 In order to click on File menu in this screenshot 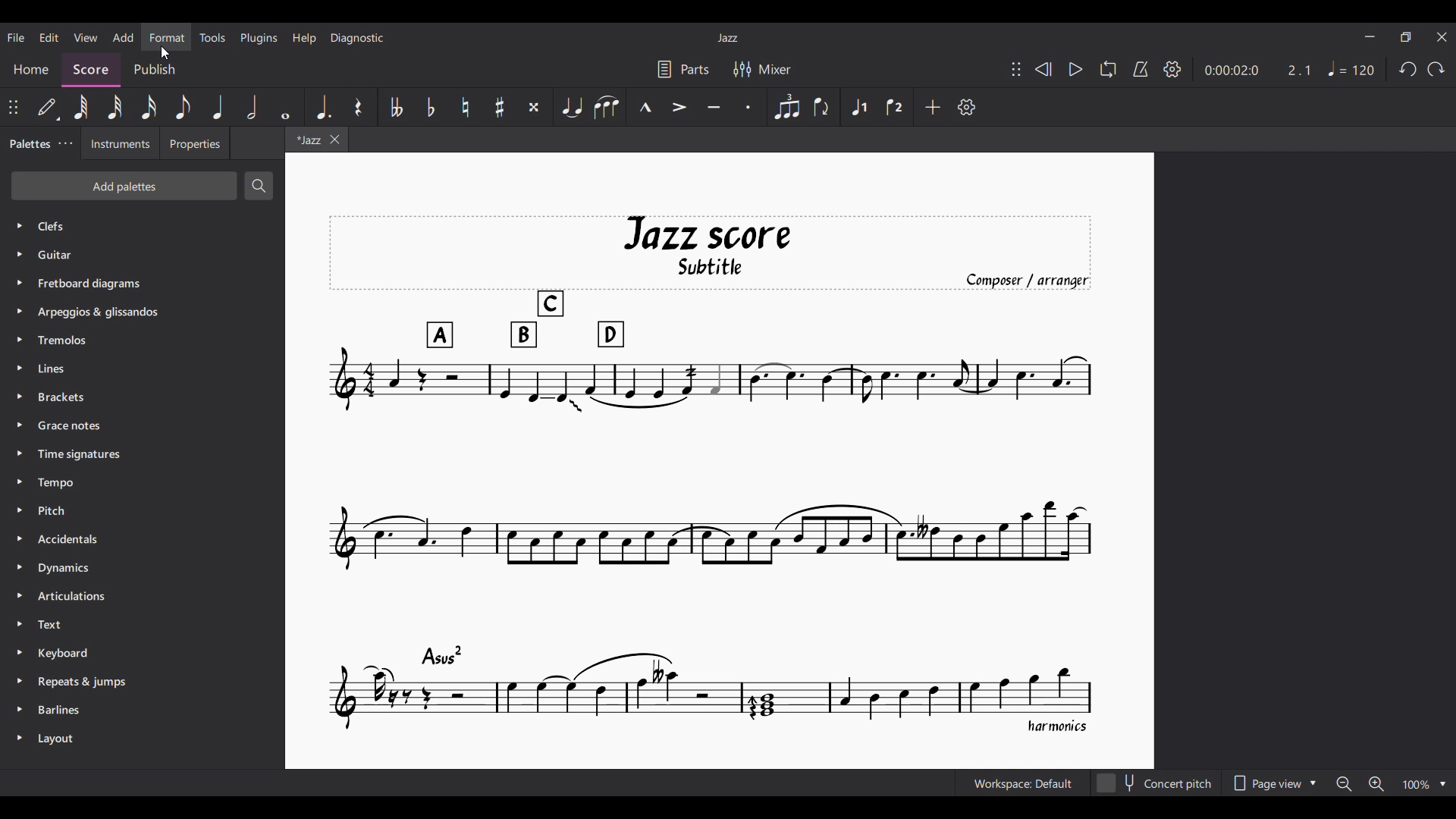, I will do `click(15, 37)`.